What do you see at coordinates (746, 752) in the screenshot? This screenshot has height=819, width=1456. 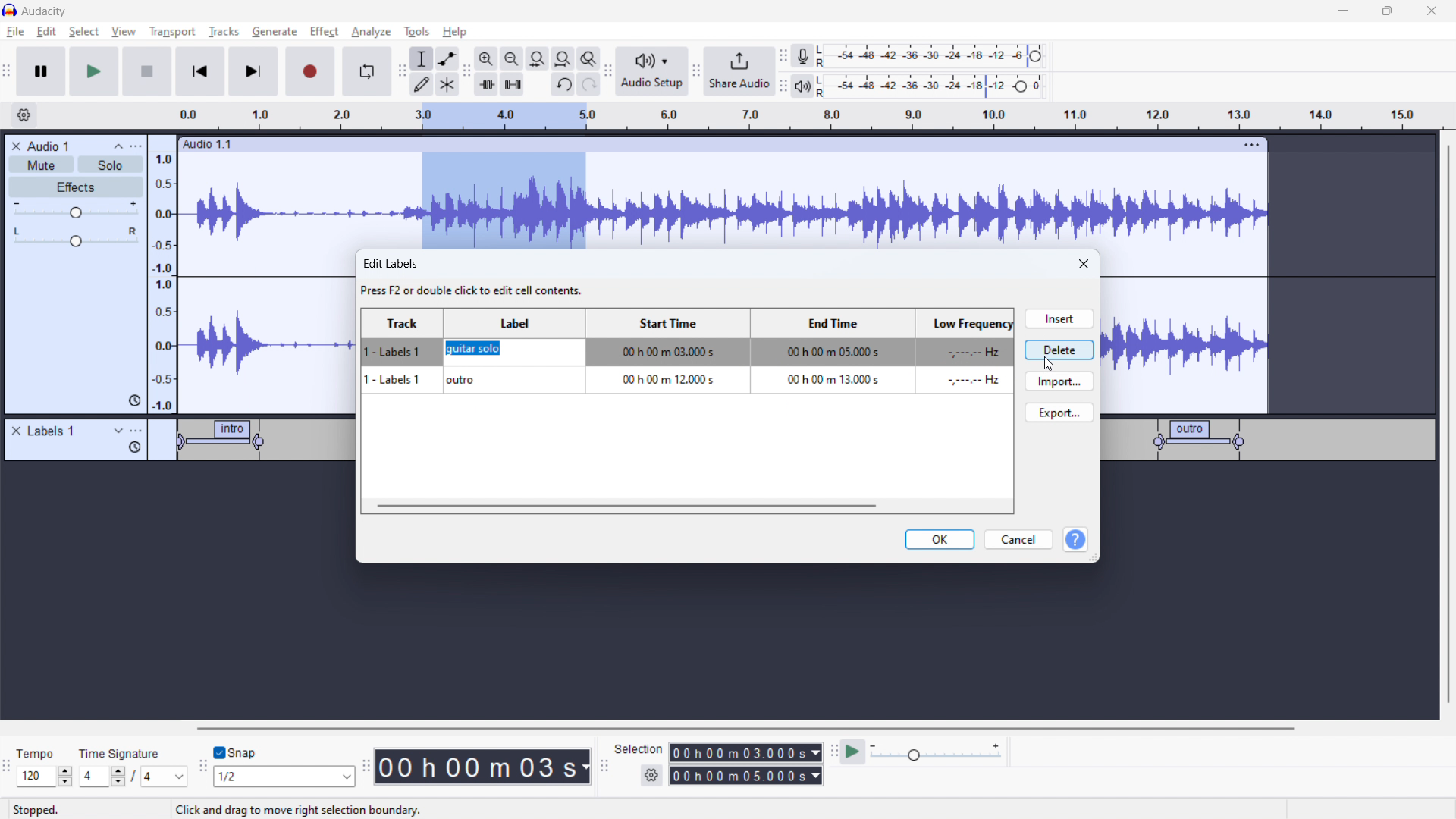 I see `selection start time` at bounding box center [746, 752].